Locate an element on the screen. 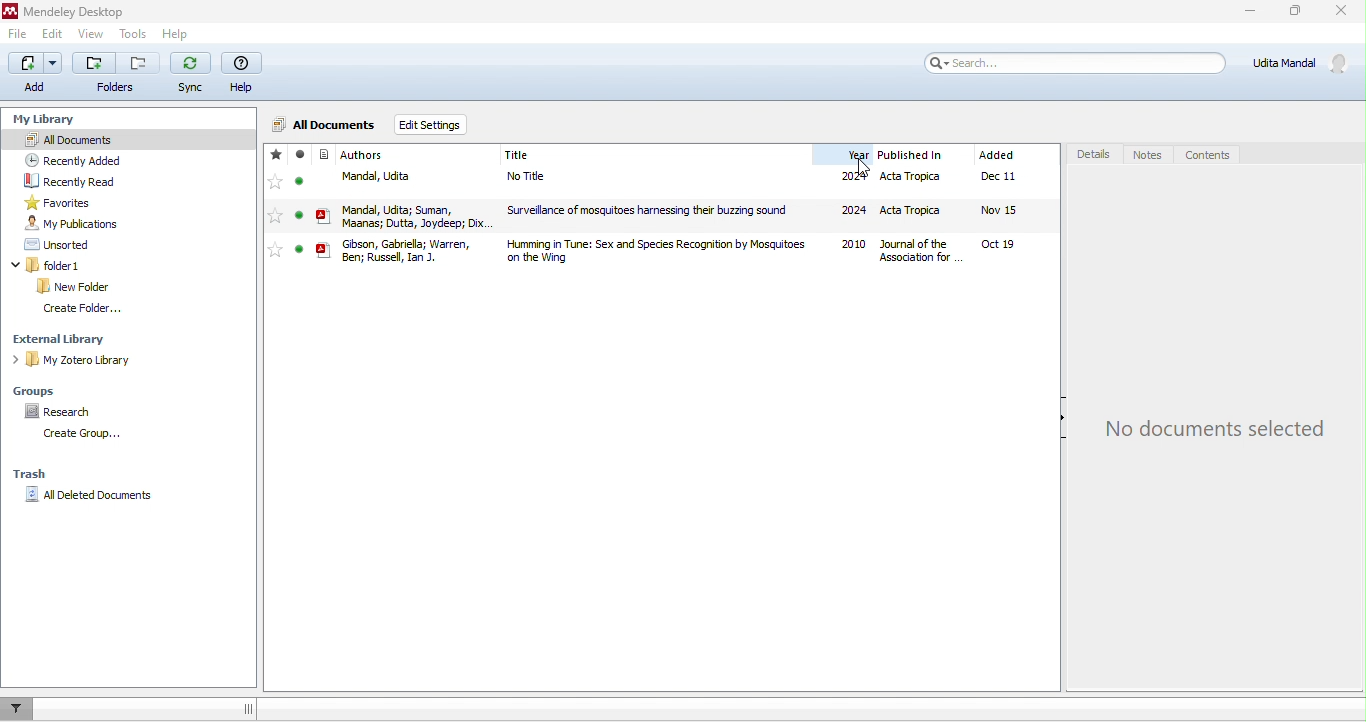  add is located at coordinates (32, 72).